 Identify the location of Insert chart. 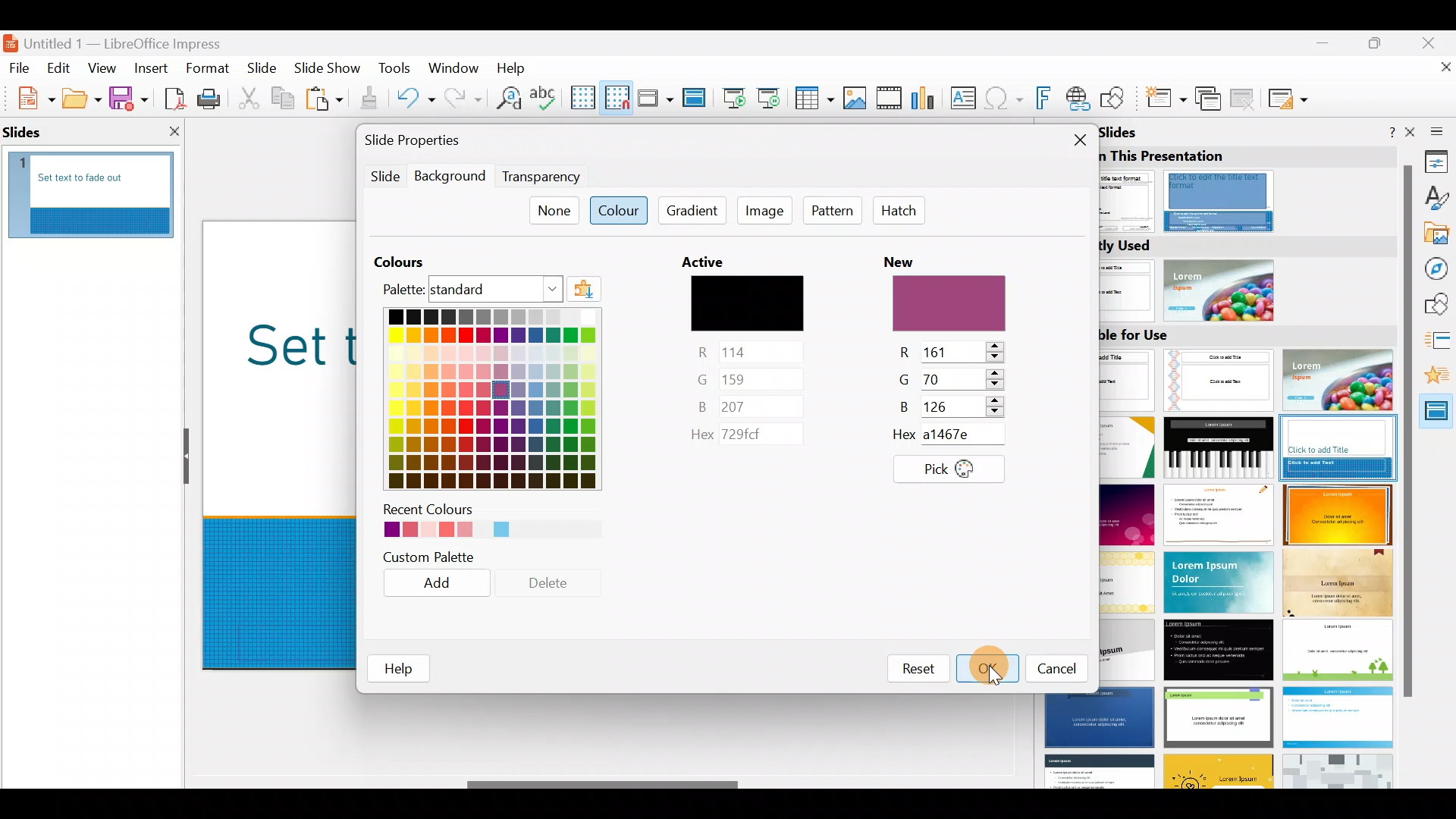
(927, 99).